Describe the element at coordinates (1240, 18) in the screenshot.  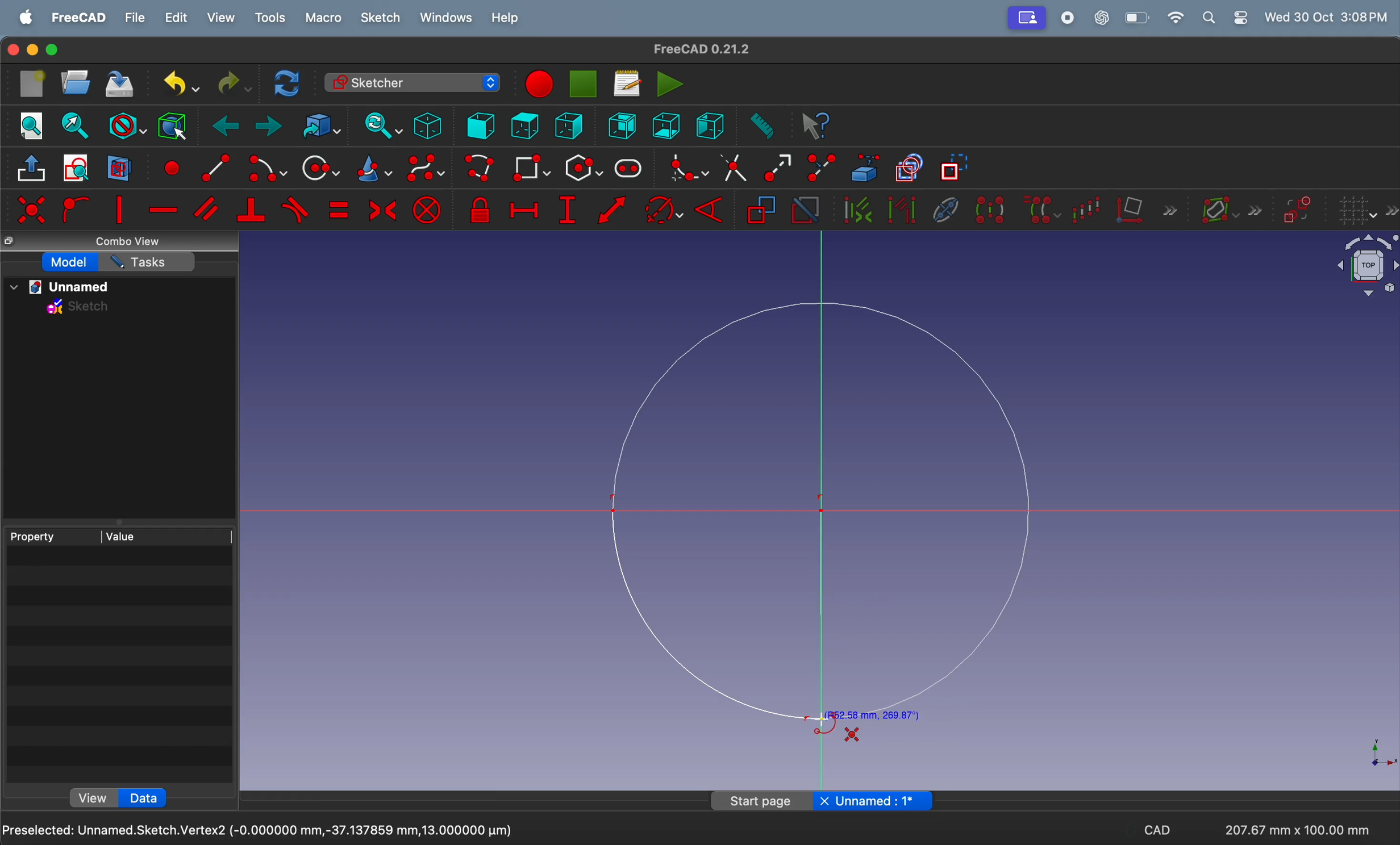
I see `settings` at that location.